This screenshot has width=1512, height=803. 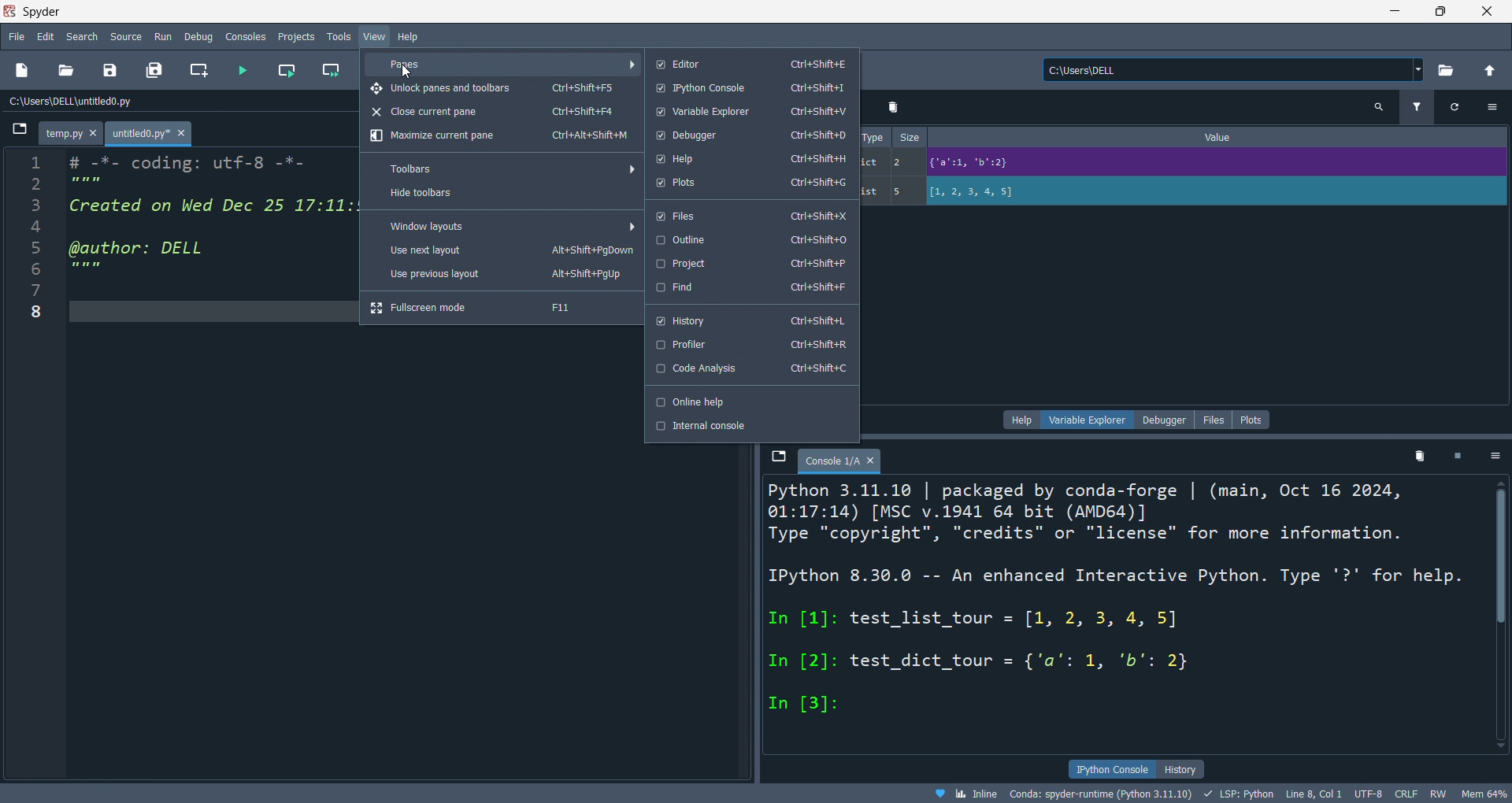 What do you see at coordinates (682, 12) in the screenshot?
I see `Spyder` at bounding box center [682, 12].